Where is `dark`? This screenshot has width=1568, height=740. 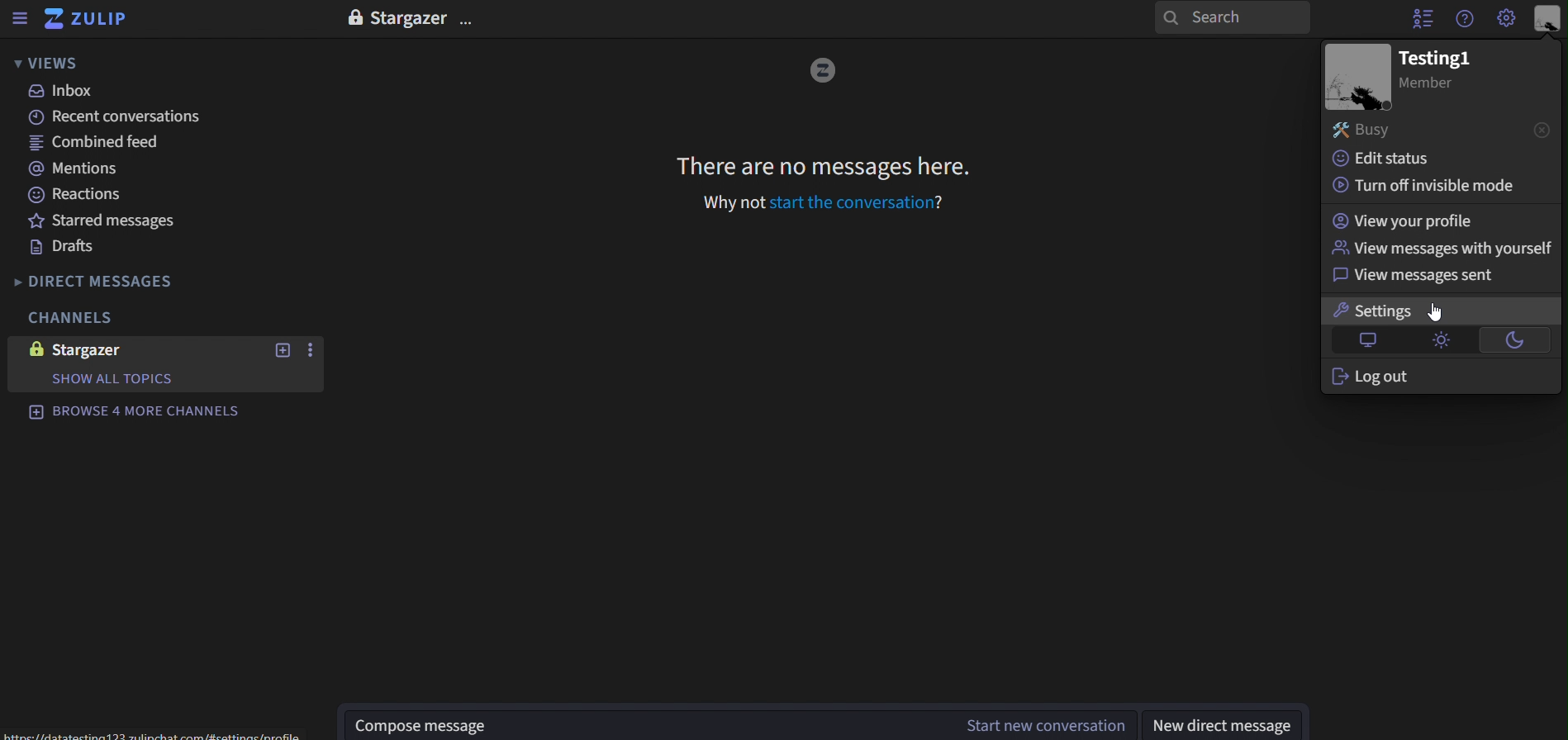 dark is located at coordinates (1512, 339).